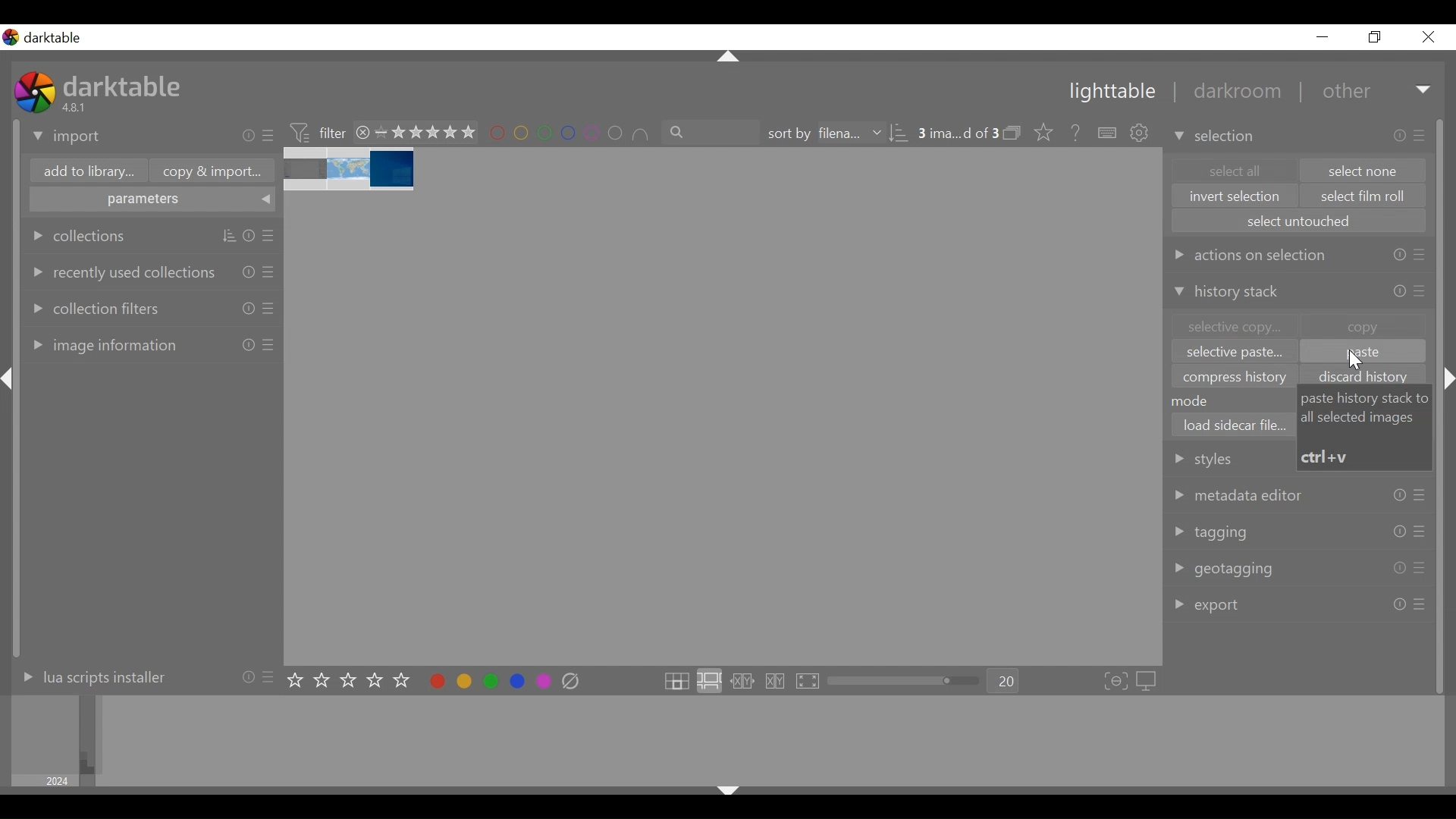  Describe the element at coordinates (777, 682) in the screenshot. I see `click to enter culling layout dynamic mode` at that location.